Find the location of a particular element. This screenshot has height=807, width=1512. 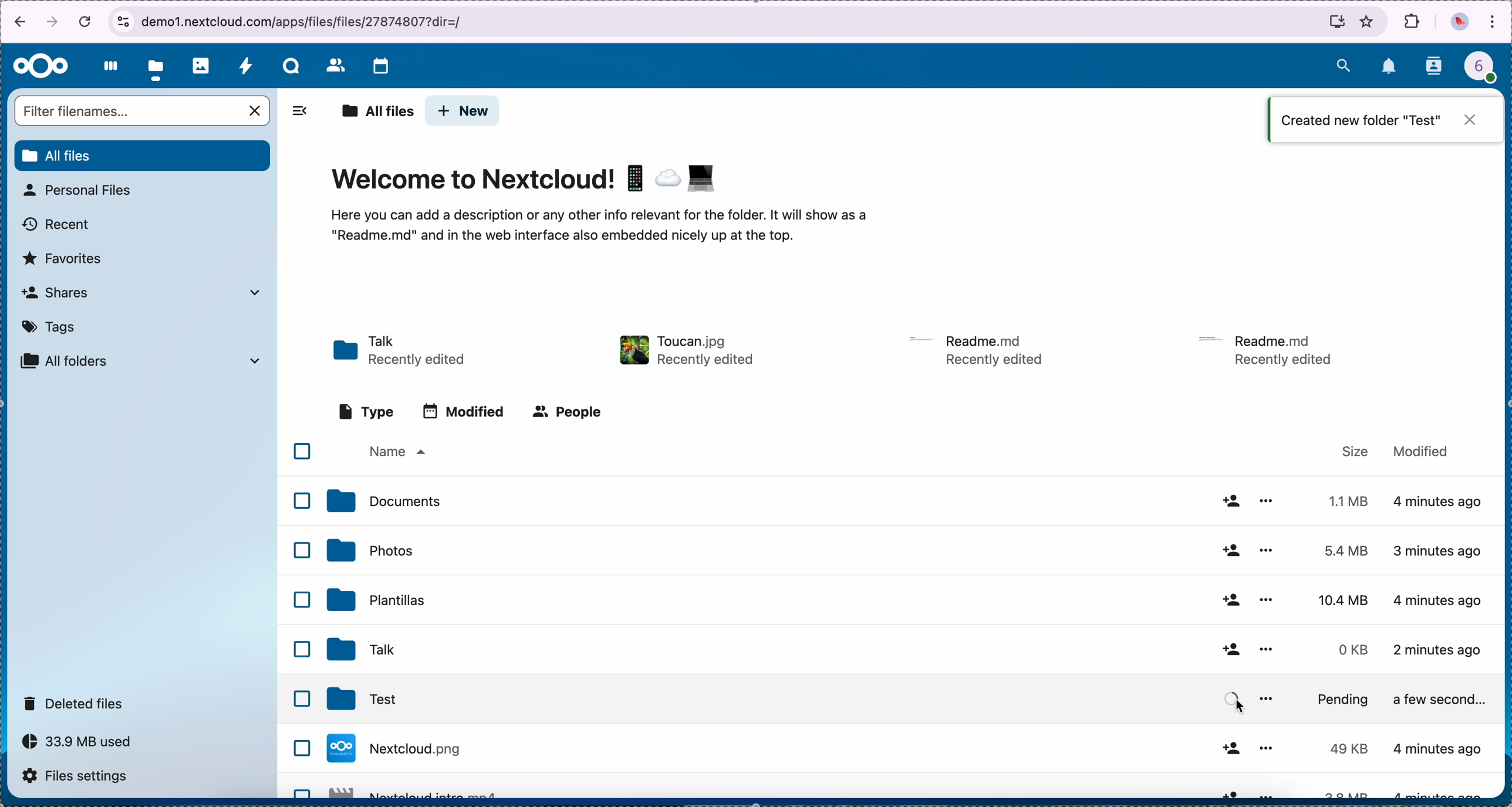

deleted files is located at coordinates (76, 703).